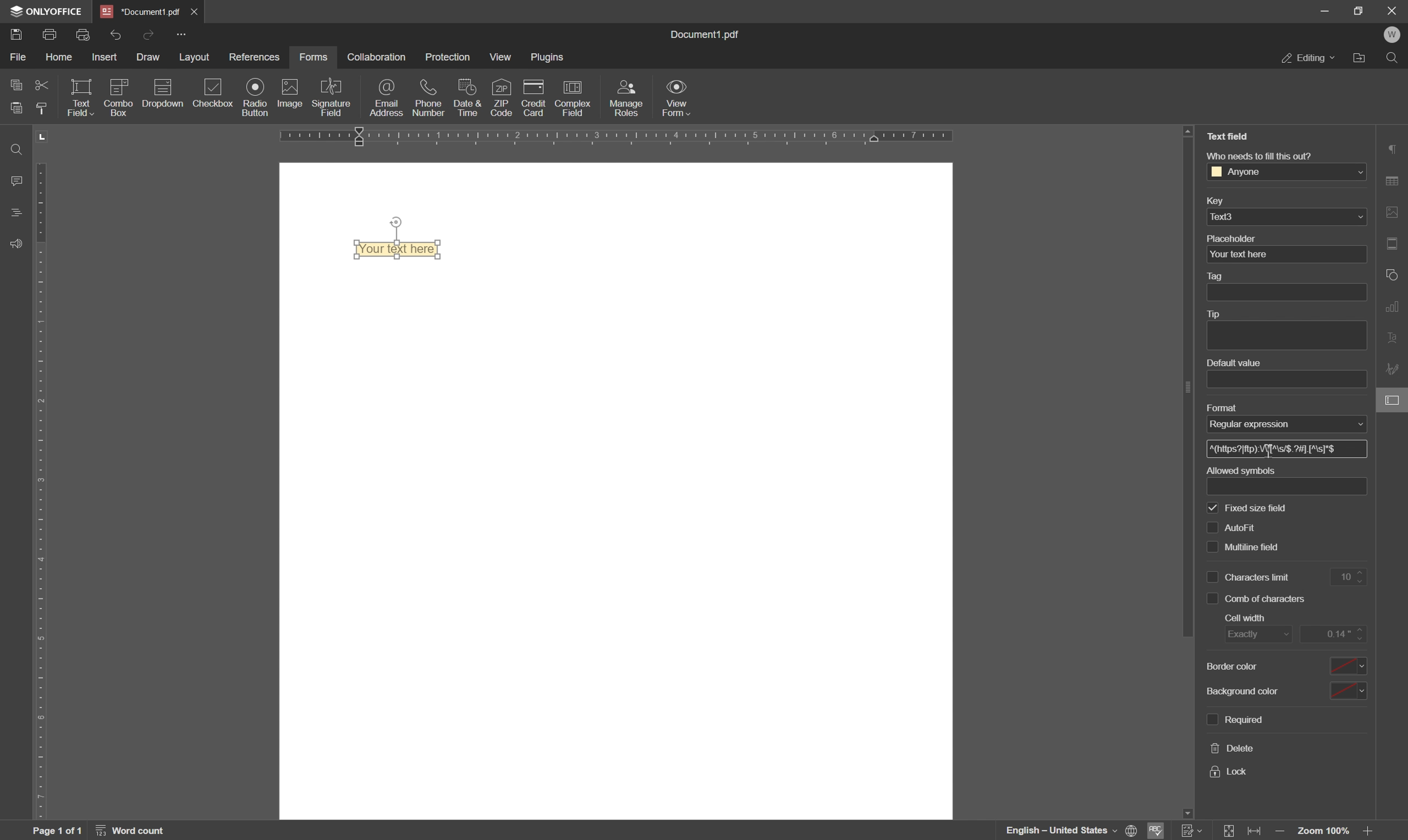 The height and width of the screenshot is (840, 1408). What do you see at coordinates (1350, 663) in the screenshot?
I see `select border color` at bounding box center [1350, 663].